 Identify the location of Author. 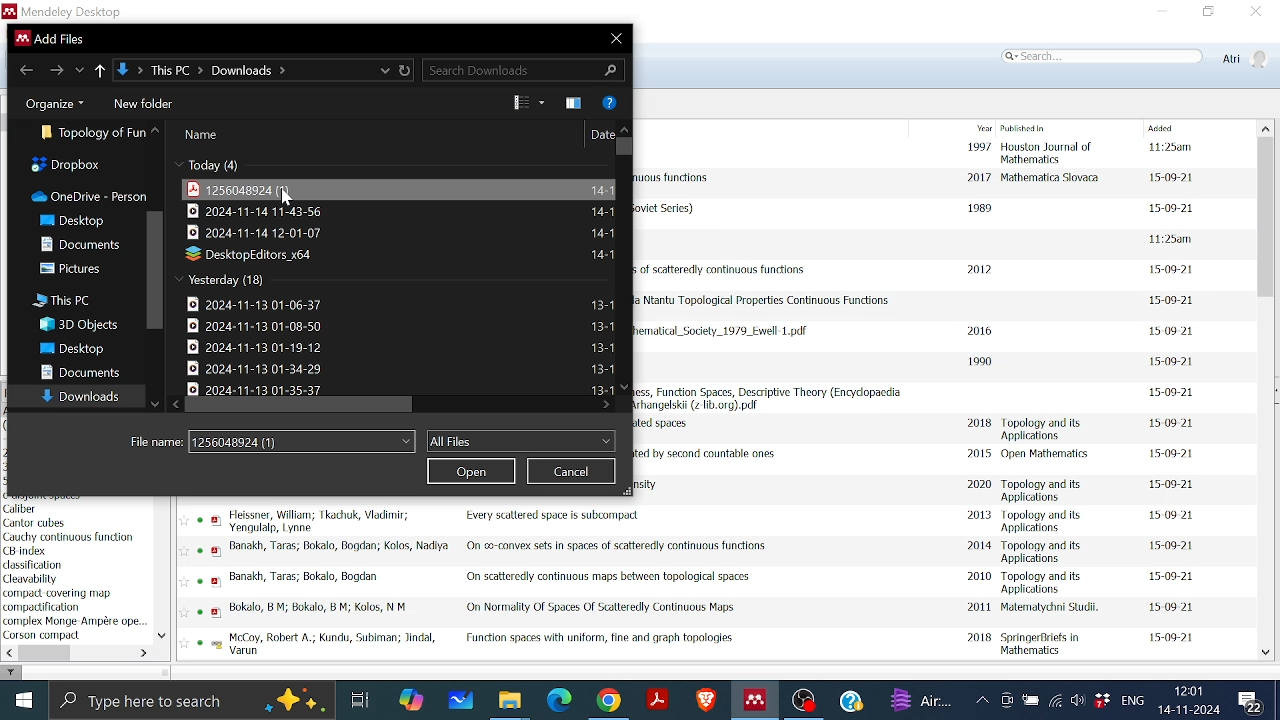
(330, 644).